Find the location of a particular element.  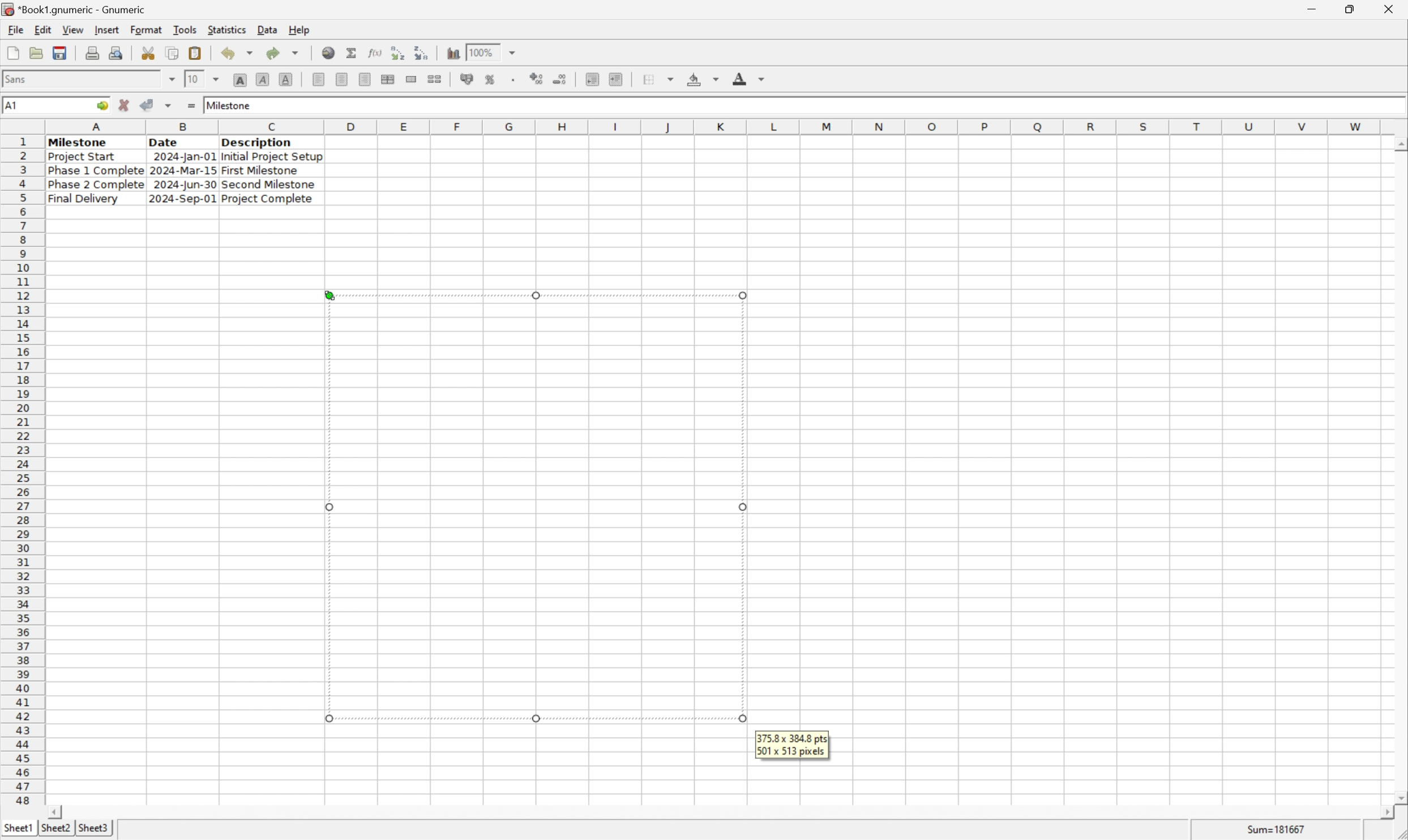

drop down is located at coordinates (513, 52).